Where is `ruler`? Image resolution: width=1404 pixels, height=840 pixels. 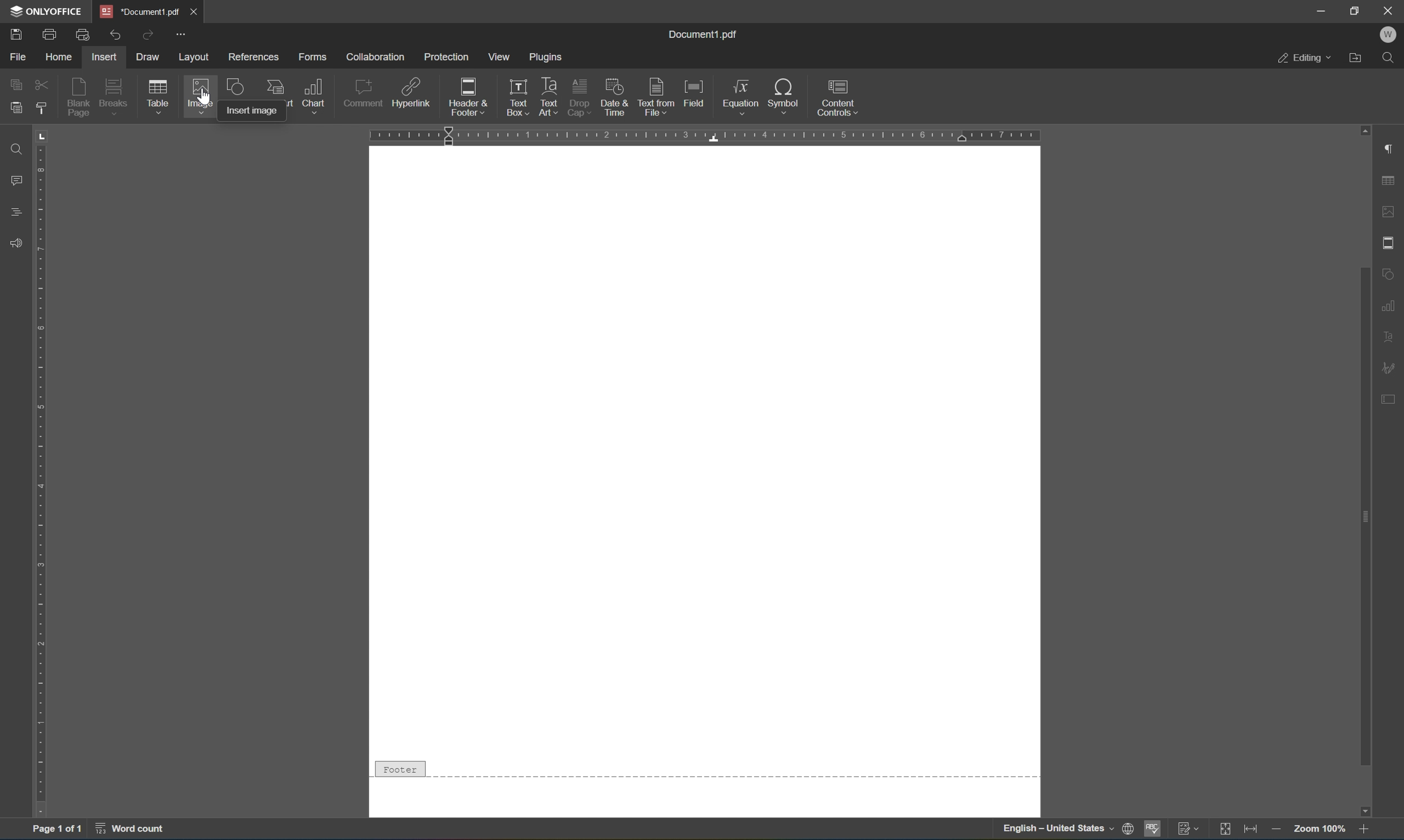
ruler is located at coordinates (41, 488).